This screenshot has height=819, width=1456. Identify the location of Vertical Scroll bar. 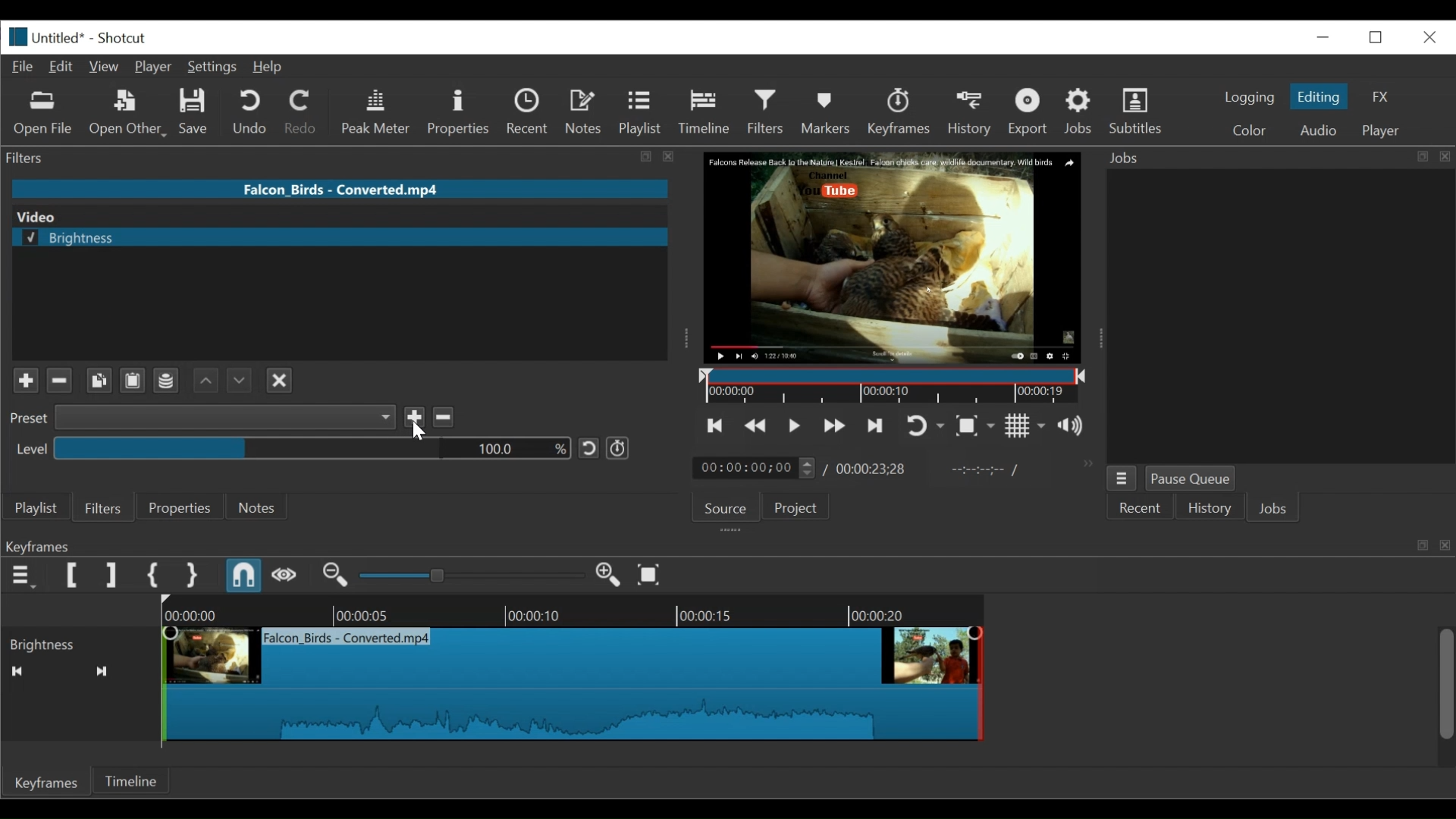
(1446, 686).